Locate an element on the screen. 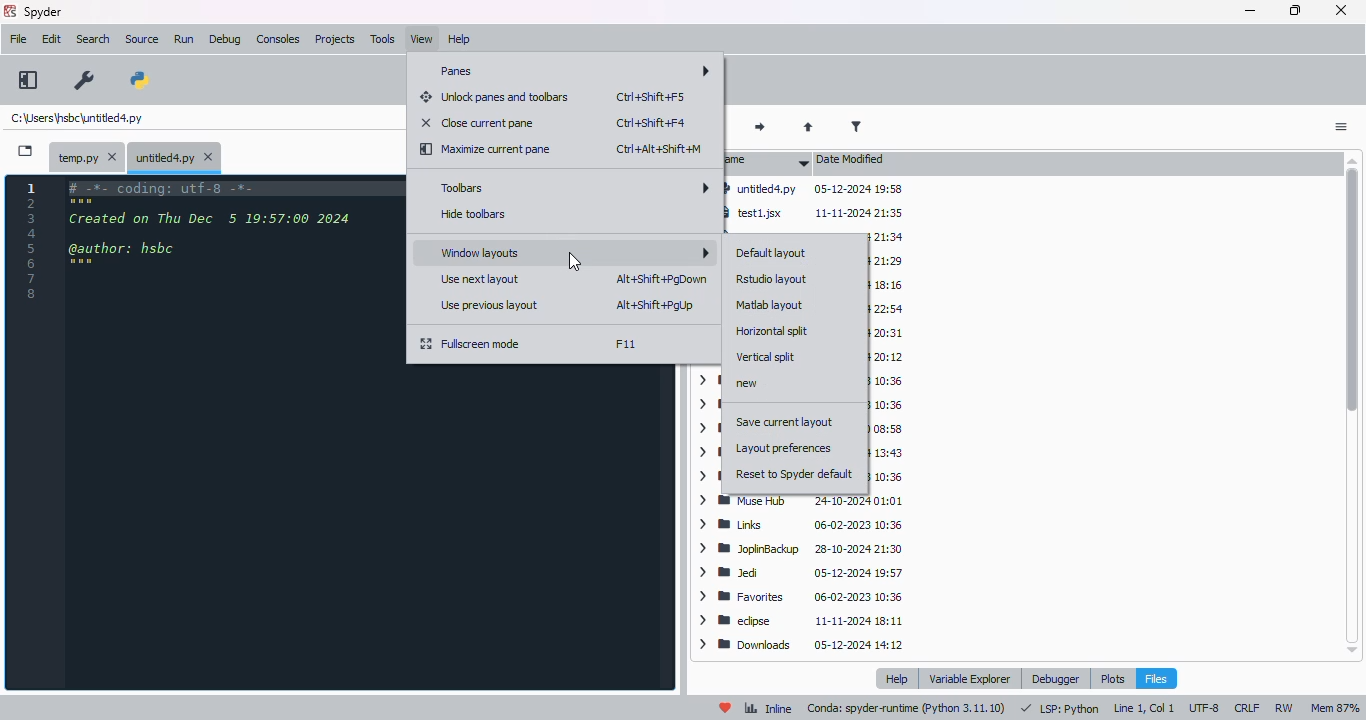 Image resolution: width=1366 pixels, height=720 pixels. test.jsx is located at coordinates (882, 238).